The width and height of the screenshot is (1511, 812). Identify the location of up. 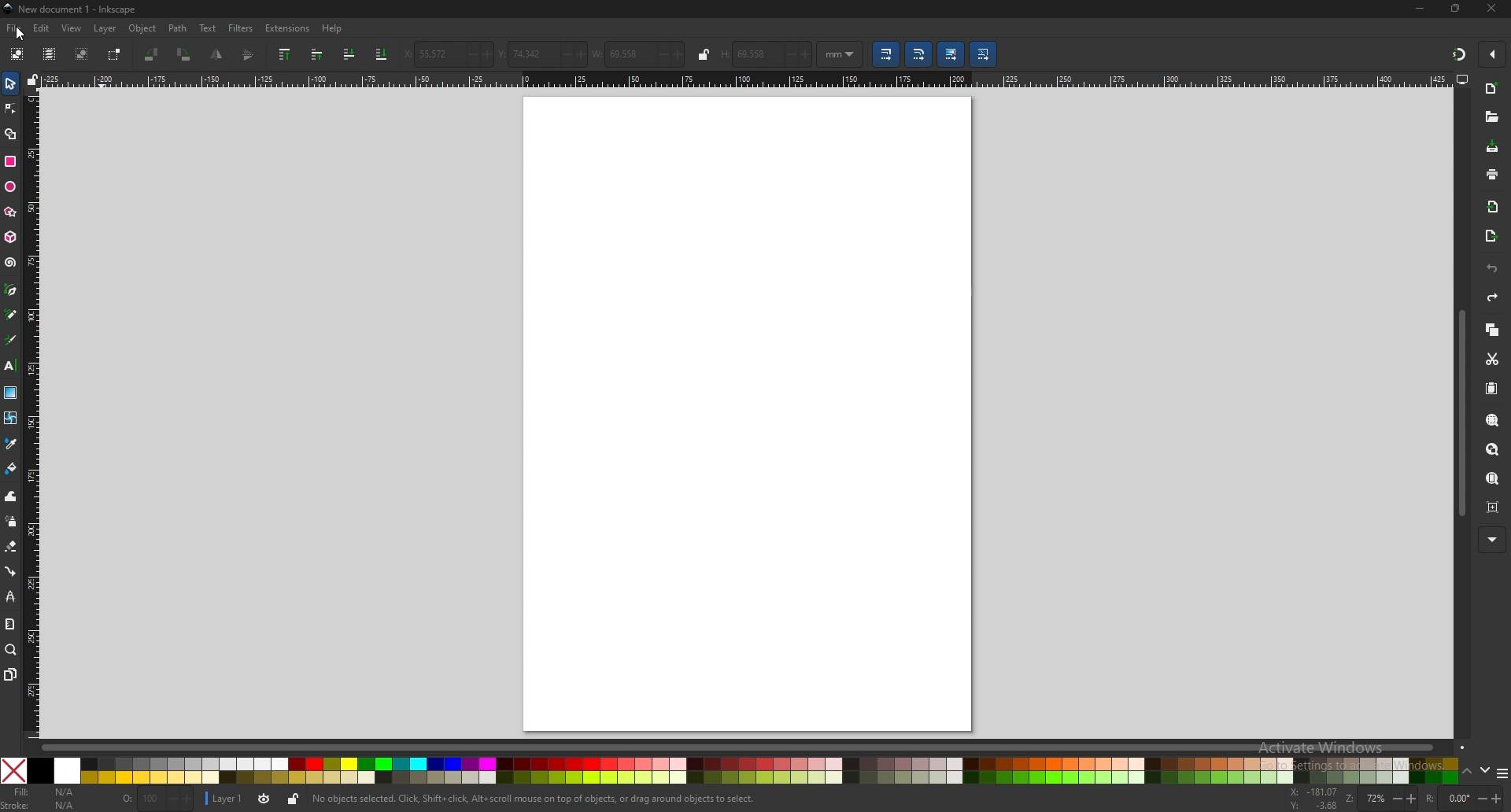
(1467, 770).